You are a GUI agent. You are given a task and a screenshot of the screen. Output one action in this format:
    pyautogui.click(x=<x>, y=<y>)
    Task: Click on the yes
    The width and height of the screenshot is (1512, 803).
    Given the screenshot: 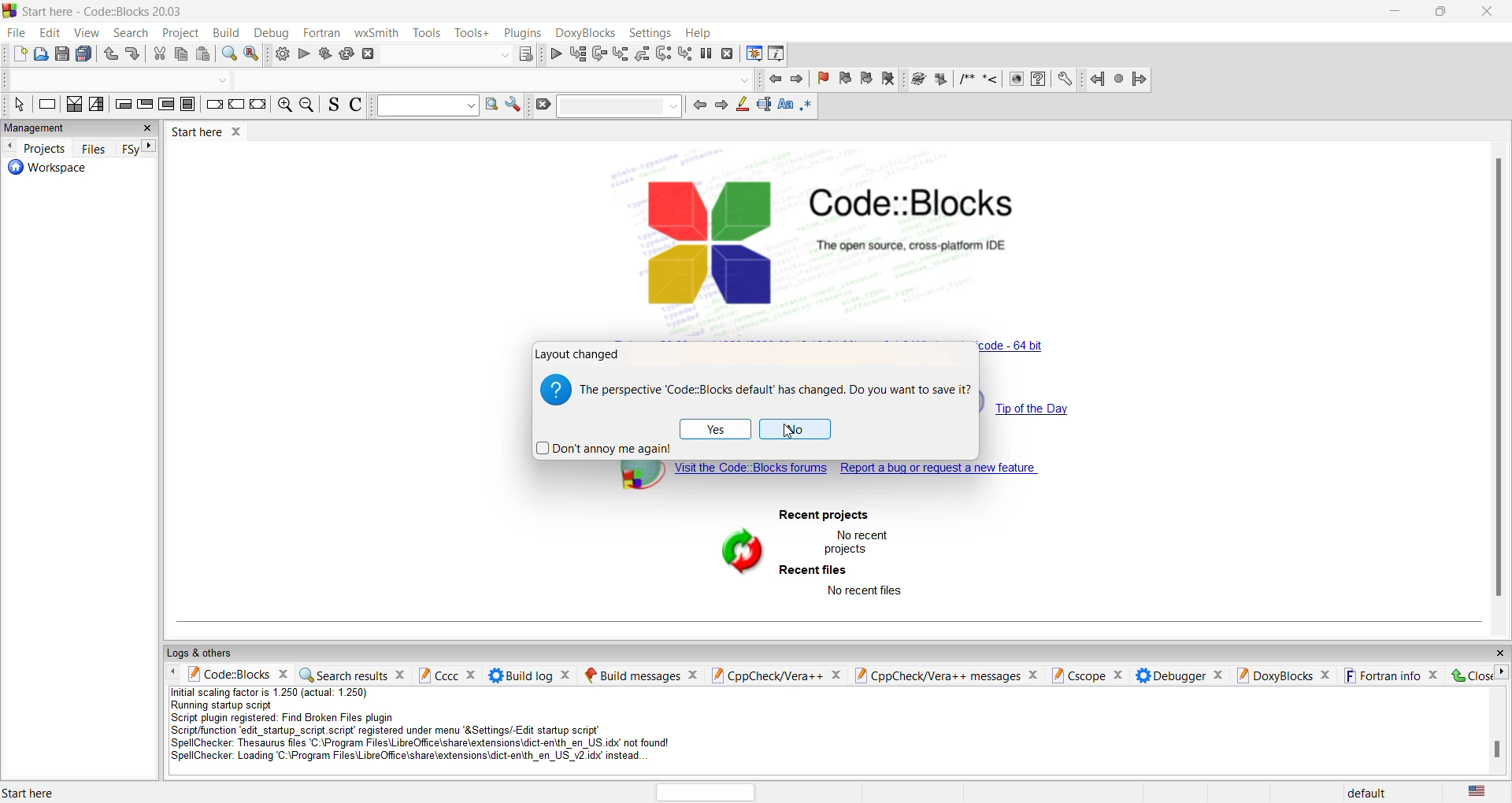 What is the action you would take?
    pyautogui.click(x=717, y=429)
    